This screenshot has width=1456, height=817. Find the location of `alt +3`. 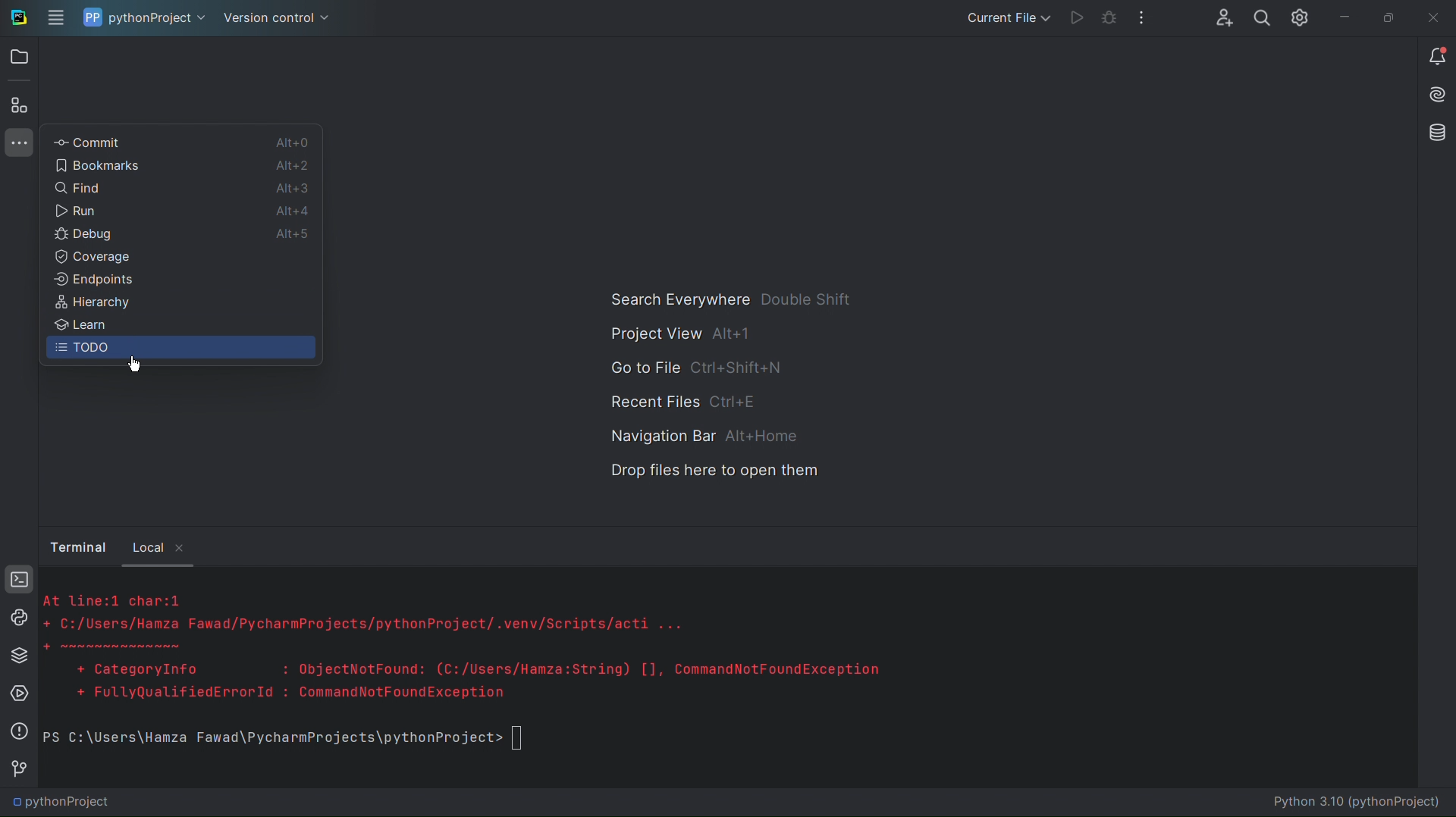

alt +3 is located at coordinates (293, 187).